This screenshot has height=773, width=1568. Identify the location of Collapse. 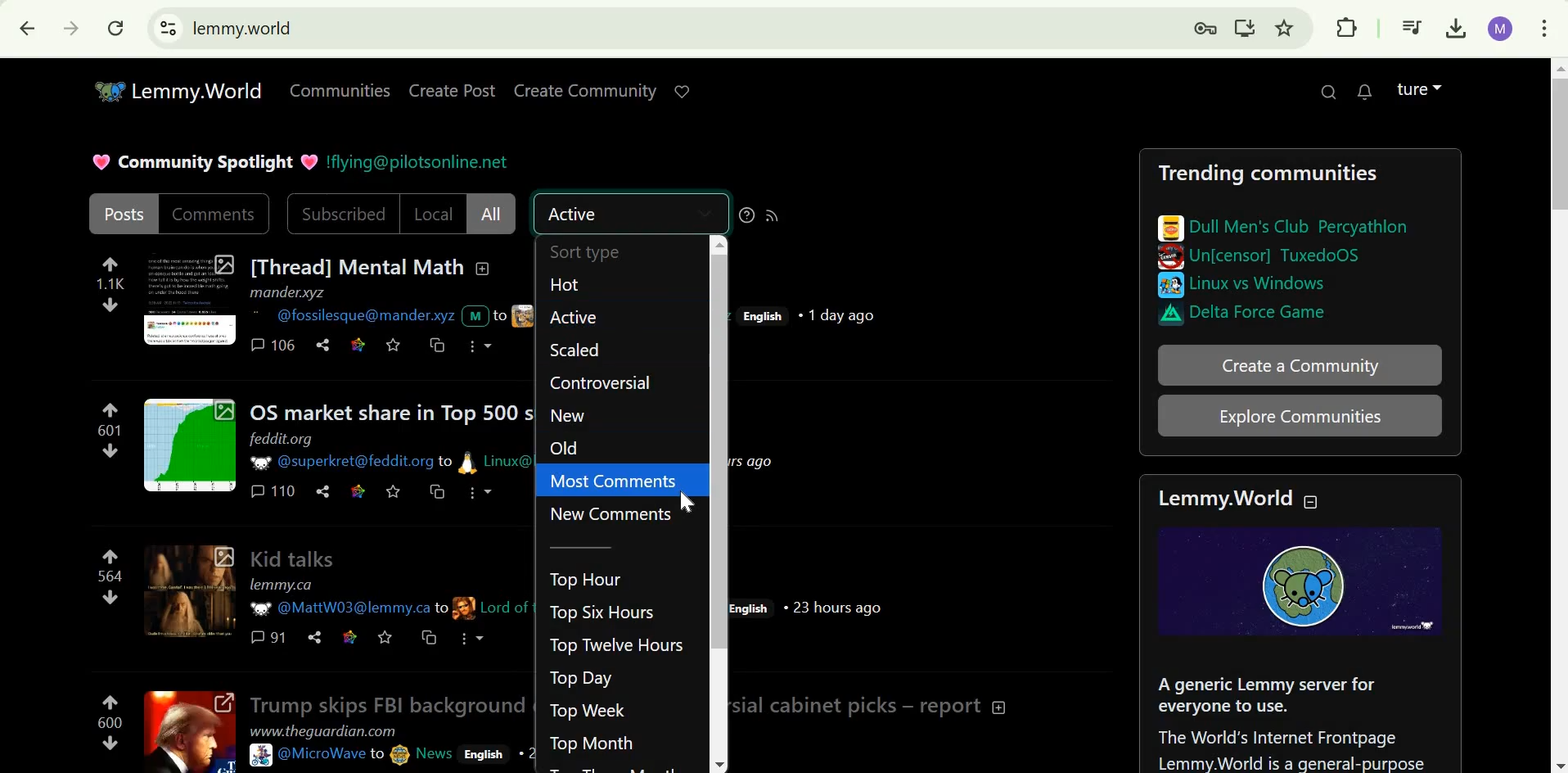
(1314, 499).